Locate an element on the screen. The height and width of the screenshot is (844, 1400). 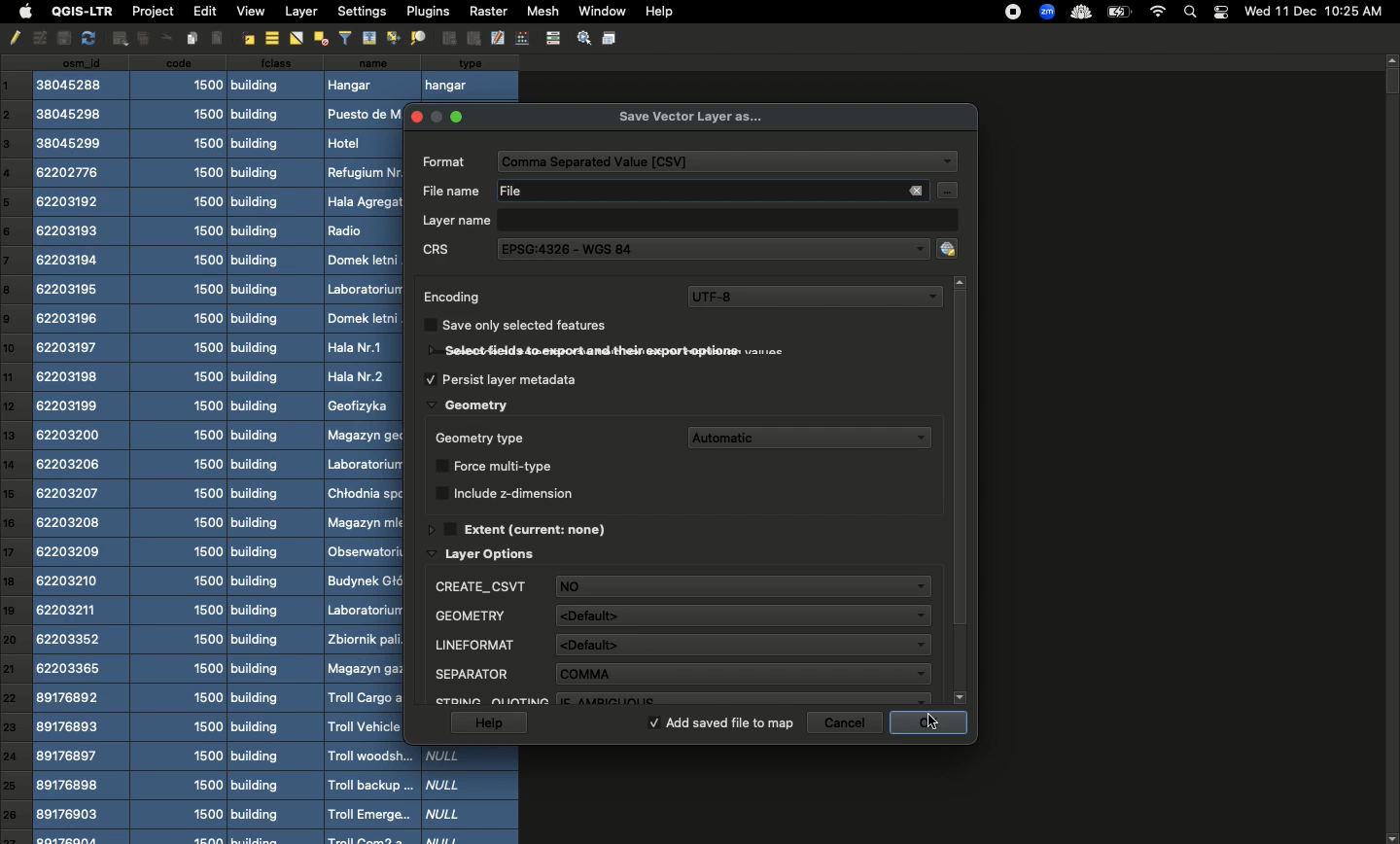
Geometry name is located at coordinates (682, 643).